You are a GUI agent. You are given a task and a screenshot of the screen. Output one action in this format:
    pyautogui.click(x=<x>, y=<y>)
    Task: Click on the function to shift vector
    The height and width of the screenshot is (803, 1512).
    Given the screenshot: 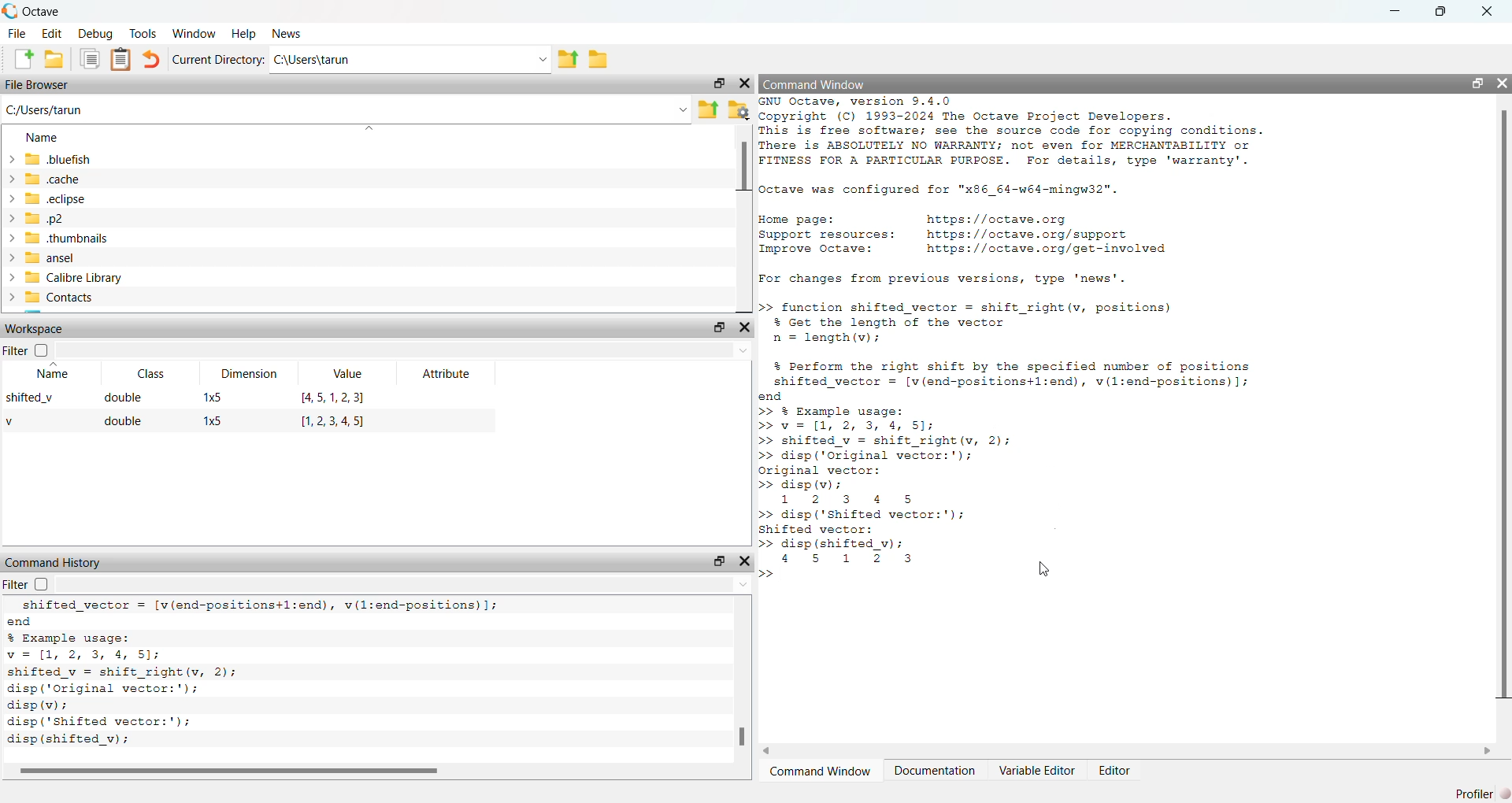 What is the action you would take?
    pyautogui.click(x=995, y=321)
    